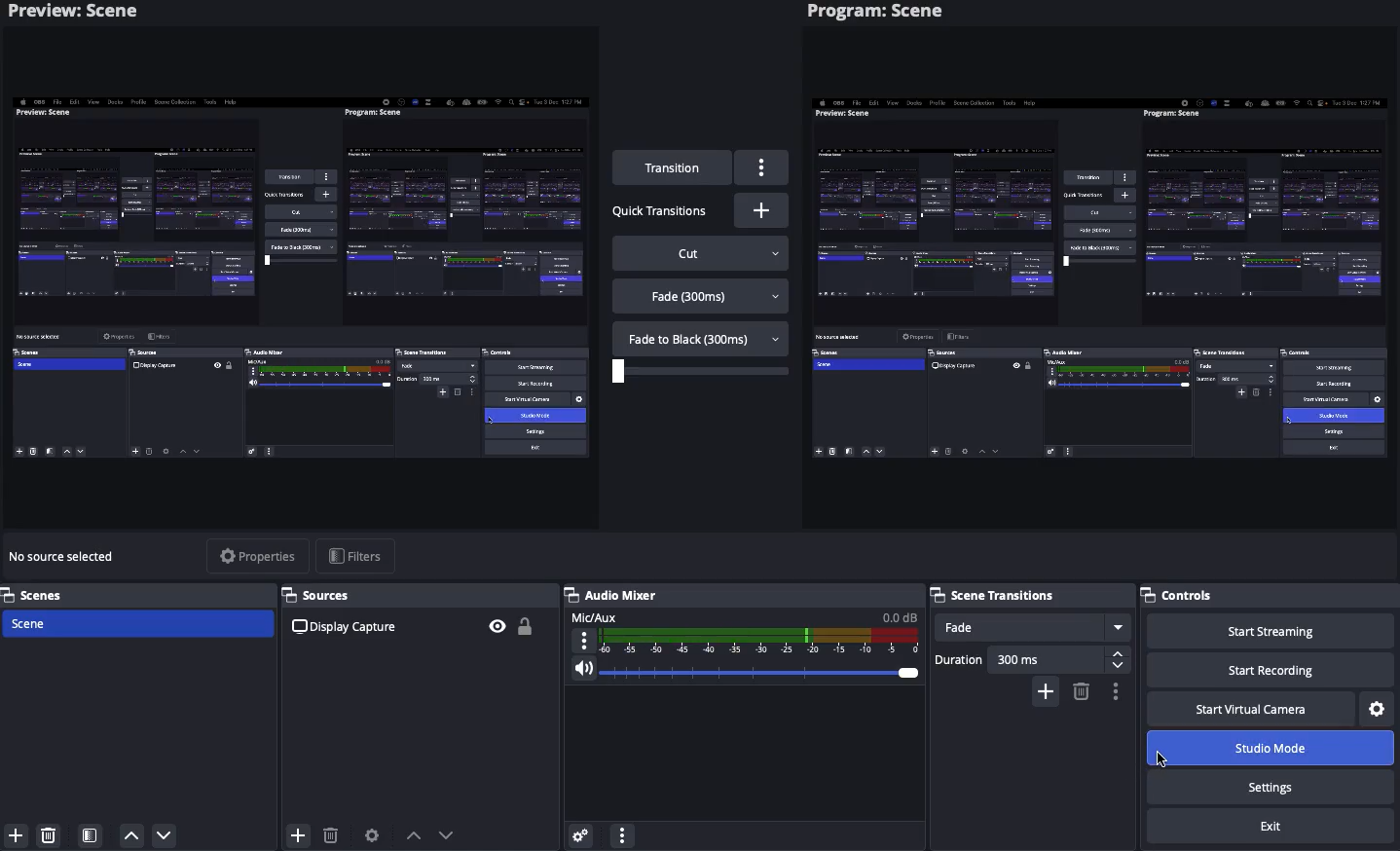  What do you see at coordinates (611, 595) in the screenshot?
I see `Audio mixer` at bounding box center [611, 595].